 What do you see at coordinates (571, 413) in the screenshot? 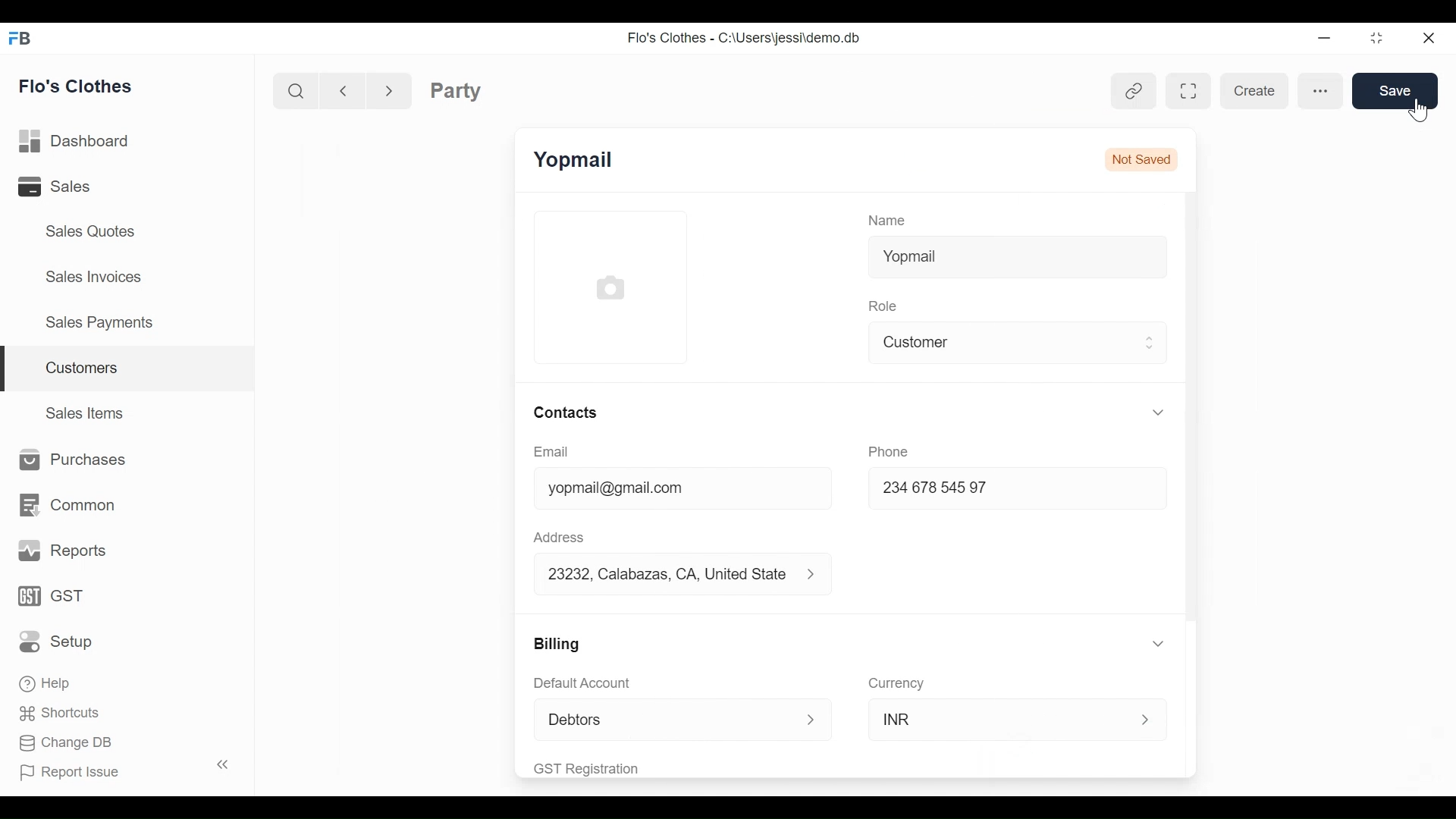
I see `Contacts` at bounding box center [571, 413].